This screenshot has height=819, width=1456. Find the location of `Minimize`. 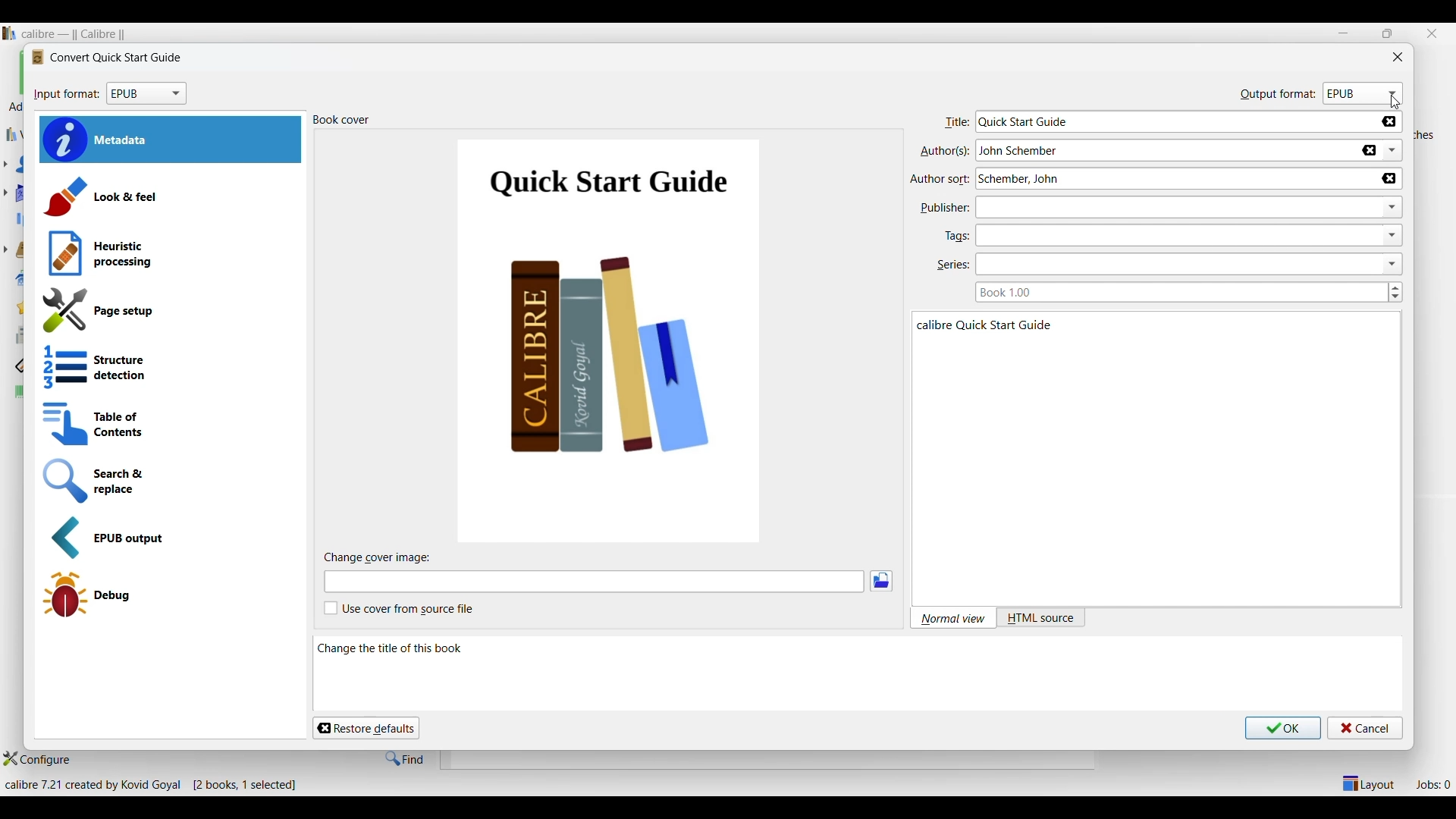

Minimize is located at coordinates (1343, 33).